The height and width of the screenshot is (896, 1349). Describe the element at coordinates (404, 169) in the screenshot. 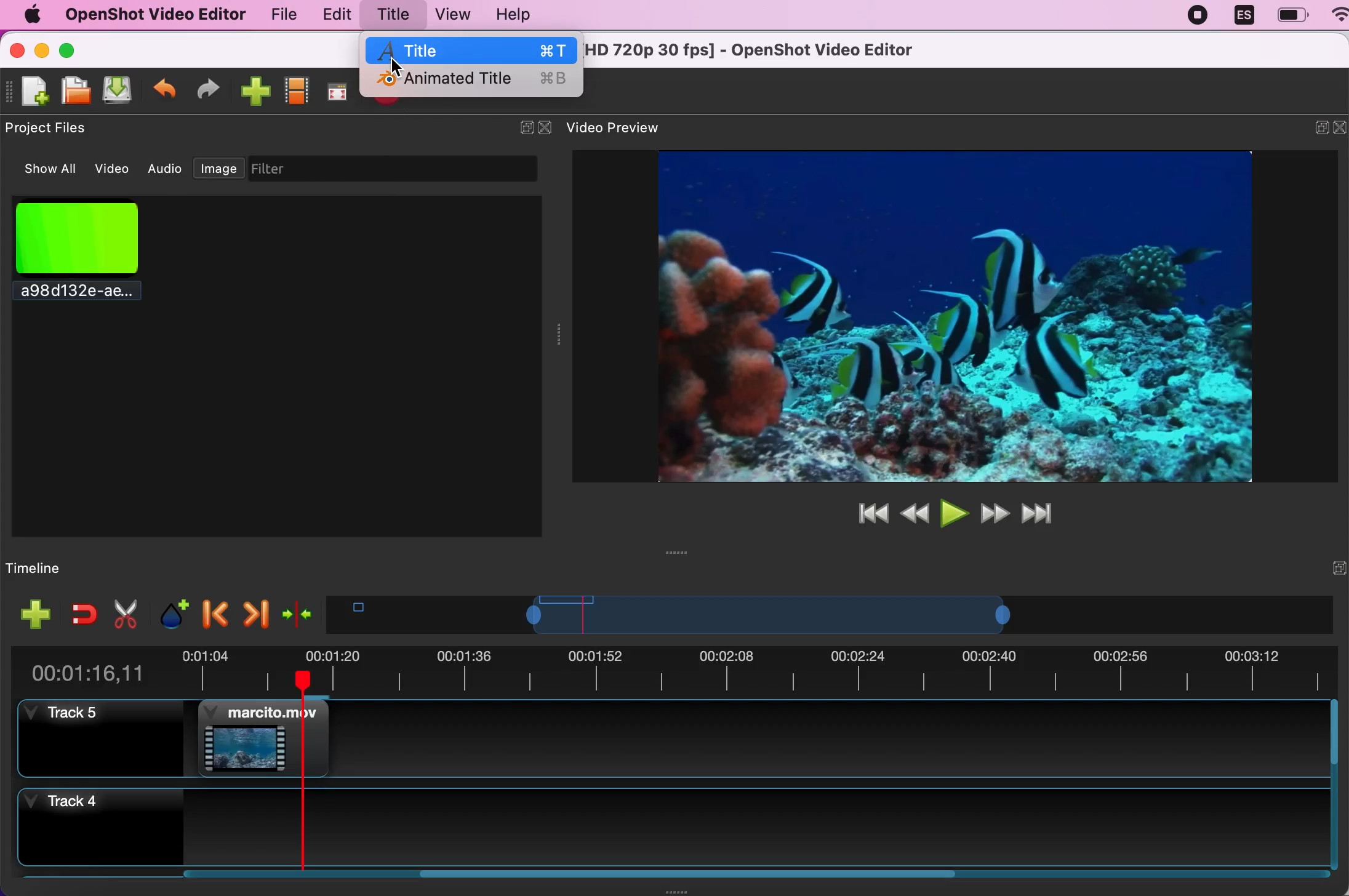

I see `filter` at that location.